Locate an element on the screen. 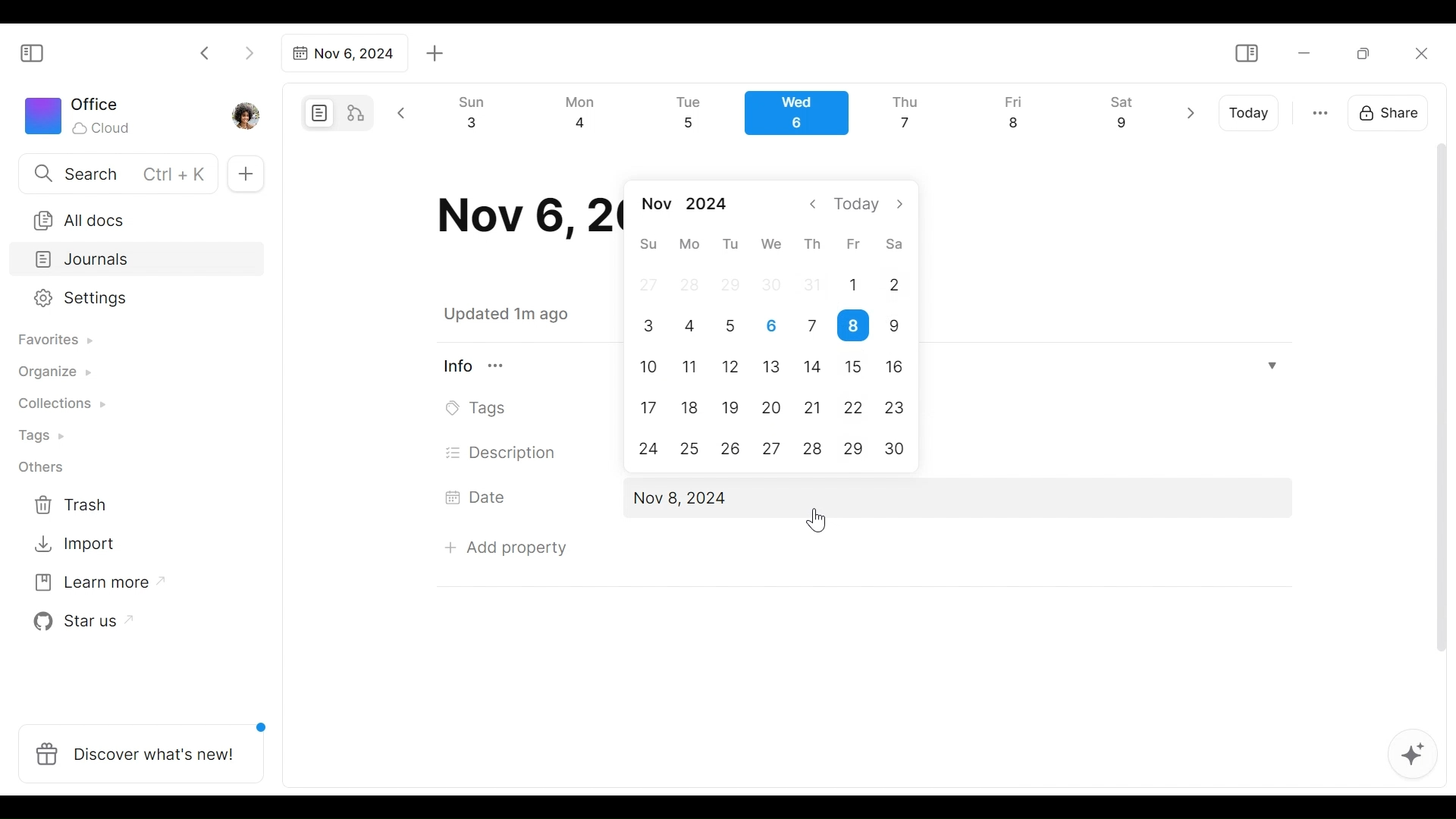  Star us is located at coordinates (79, 622).